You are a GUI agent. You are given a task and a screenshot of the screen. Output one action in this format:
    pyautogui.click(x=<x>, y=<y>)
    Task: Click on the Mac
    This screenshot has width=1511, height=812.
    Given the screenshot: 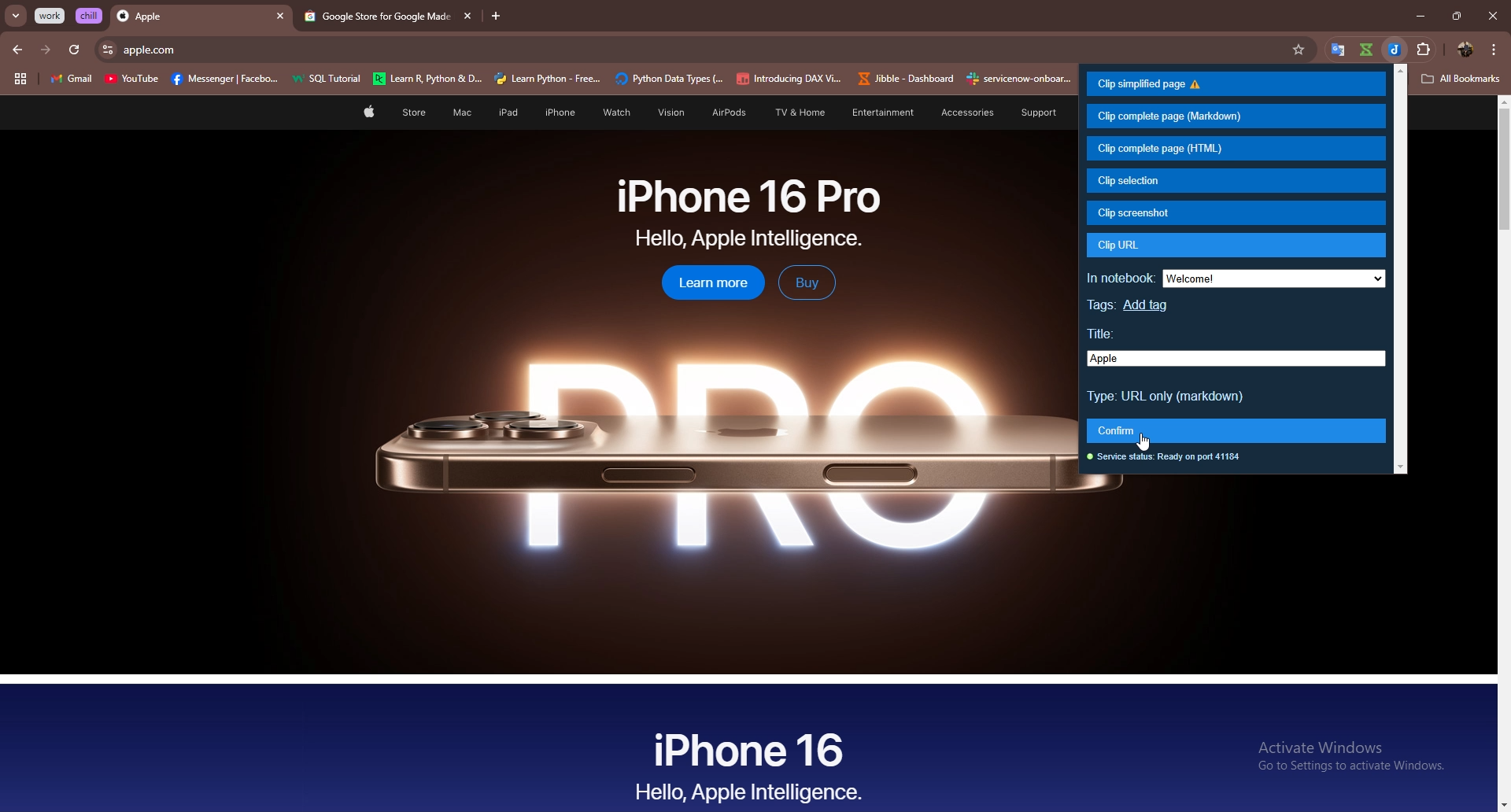 What is the action you would take?
    pyautogui.click(x=461, y=113)
    